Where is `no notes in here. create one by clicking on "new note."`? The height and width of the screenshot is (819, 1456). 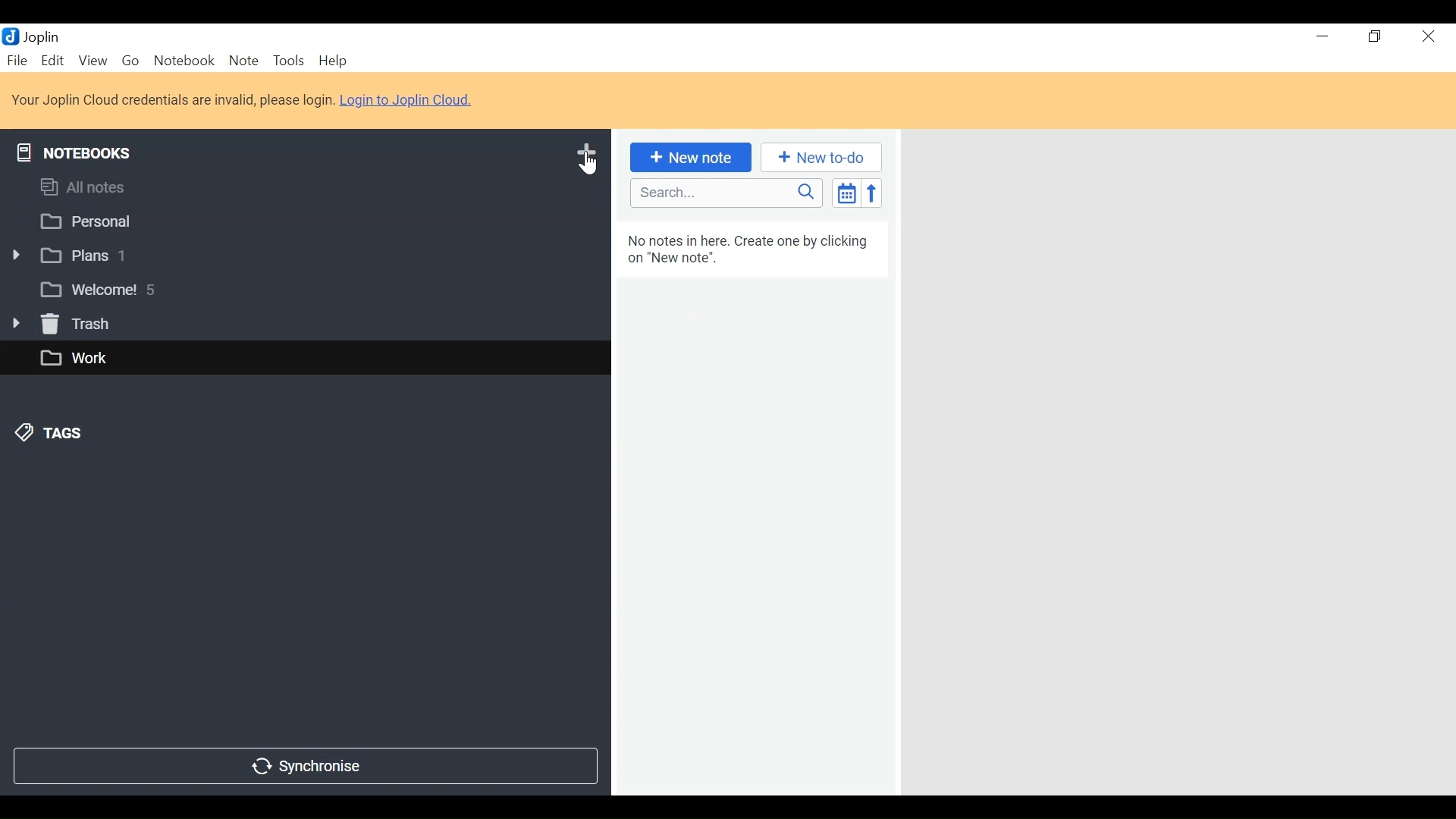 no notes in here. create one by clicking on "new note." is located at coordinates (761, 503).